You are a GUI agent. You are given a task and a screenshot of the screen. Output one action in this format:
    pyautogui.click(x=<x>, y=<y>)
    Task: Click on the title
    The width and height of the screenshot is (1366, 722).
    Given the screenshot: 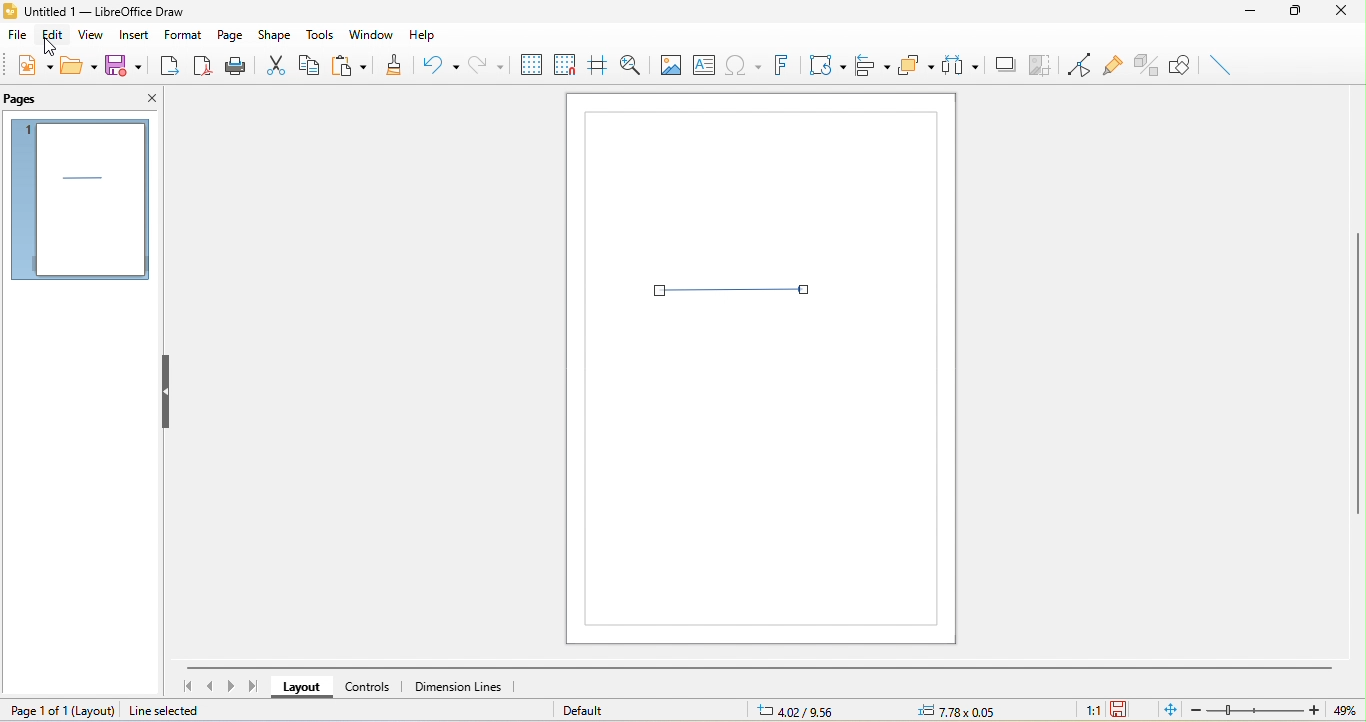 What is the action you would take?
    pyautogui.click(x=94, y=12)
    